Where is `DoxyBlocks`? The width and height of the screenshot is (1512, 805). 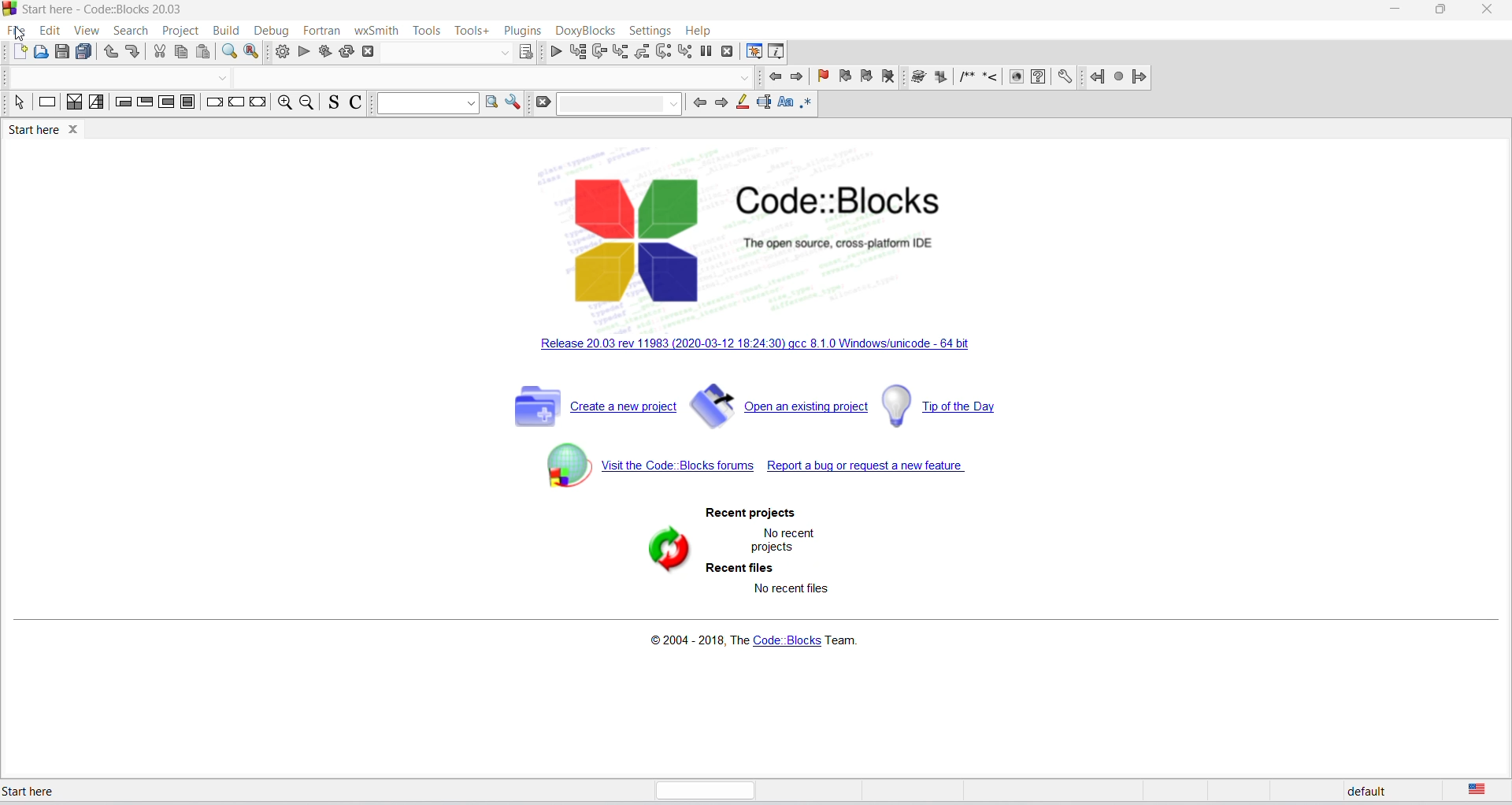
DoxyBlocks is located at coordinates (584, 29).